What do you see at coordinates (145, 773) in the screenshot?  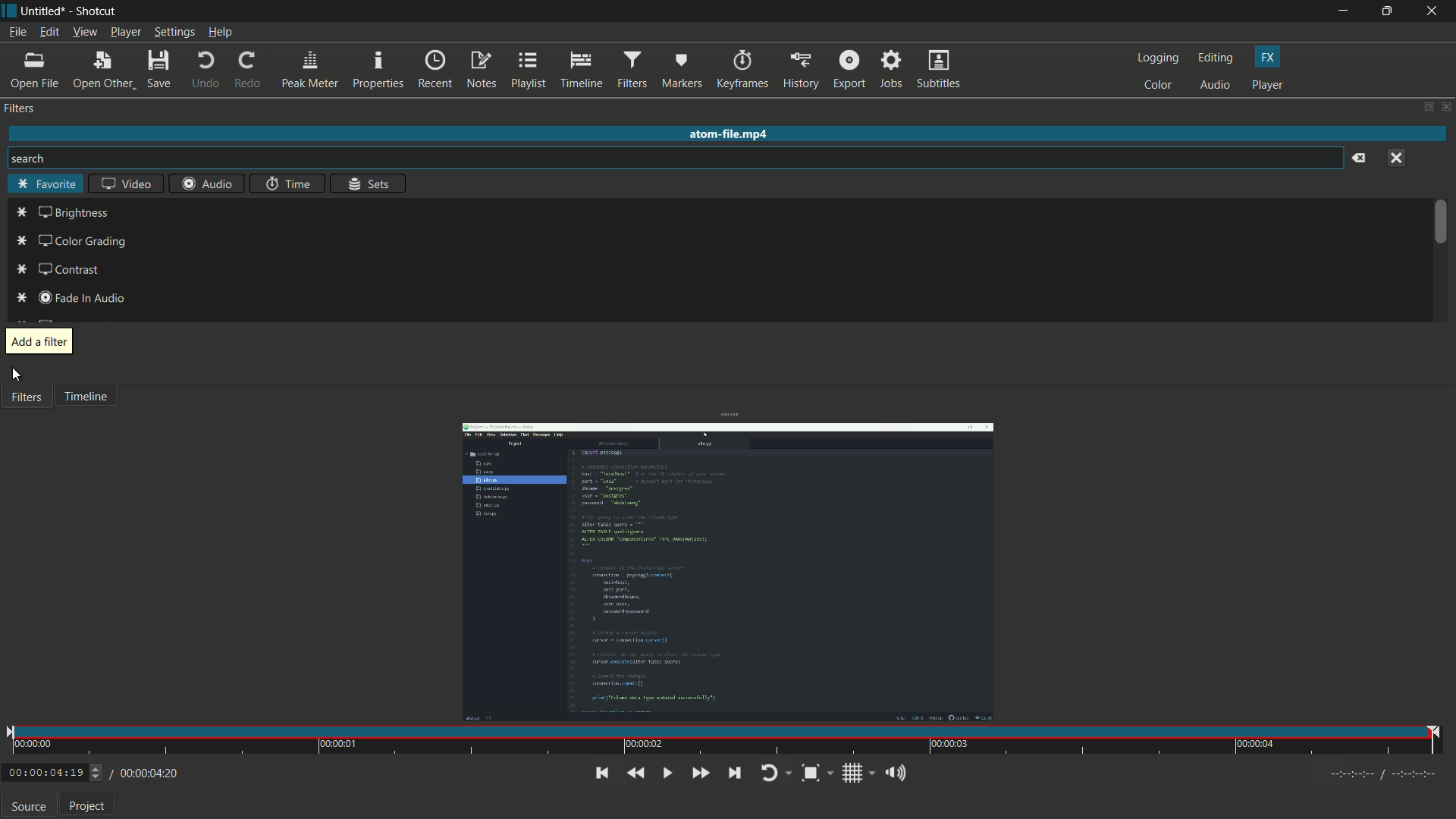 I see `/ 00:00:04:20` at bounding box center [145, 773].